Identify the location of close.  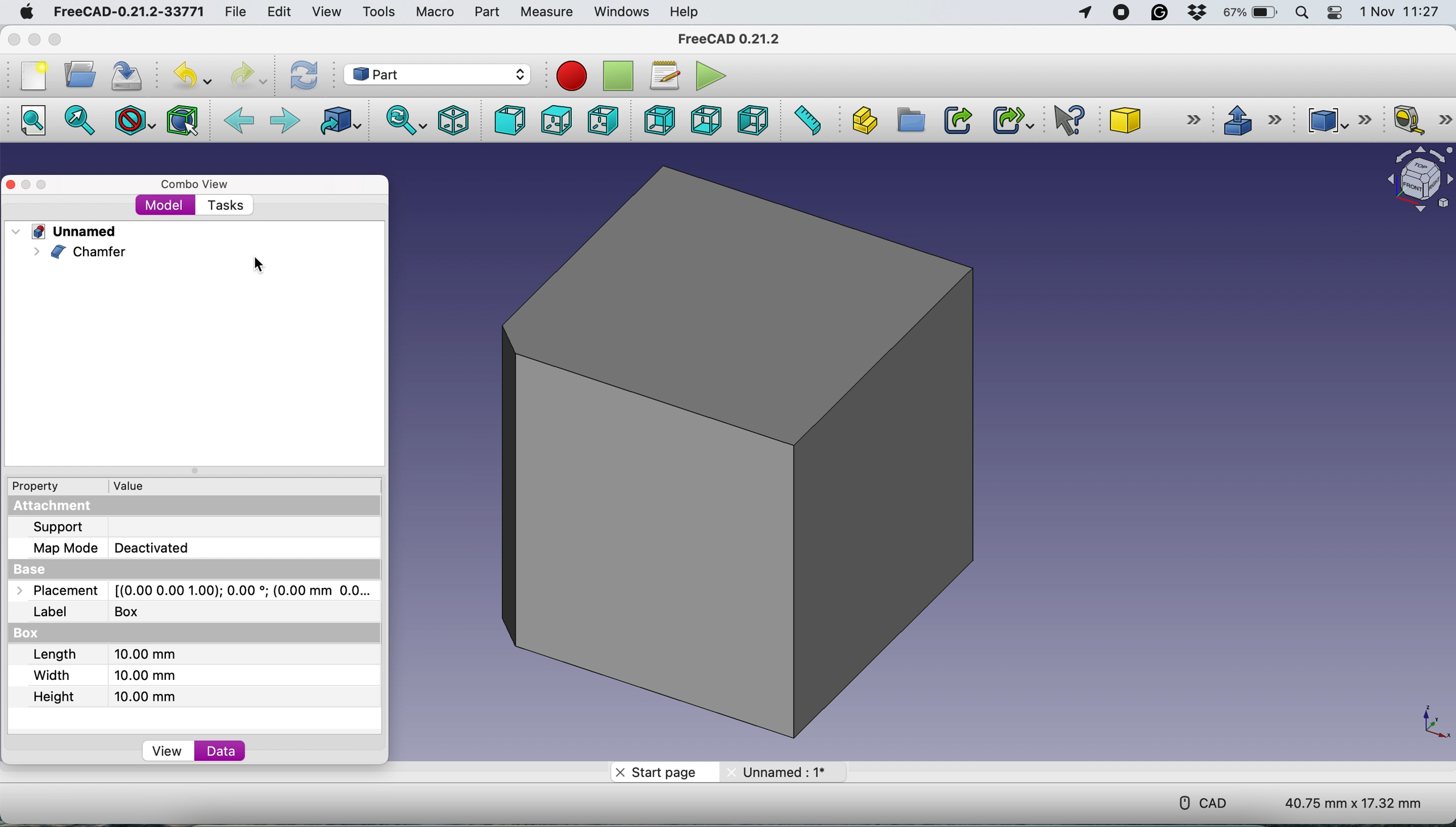
(12, 185).